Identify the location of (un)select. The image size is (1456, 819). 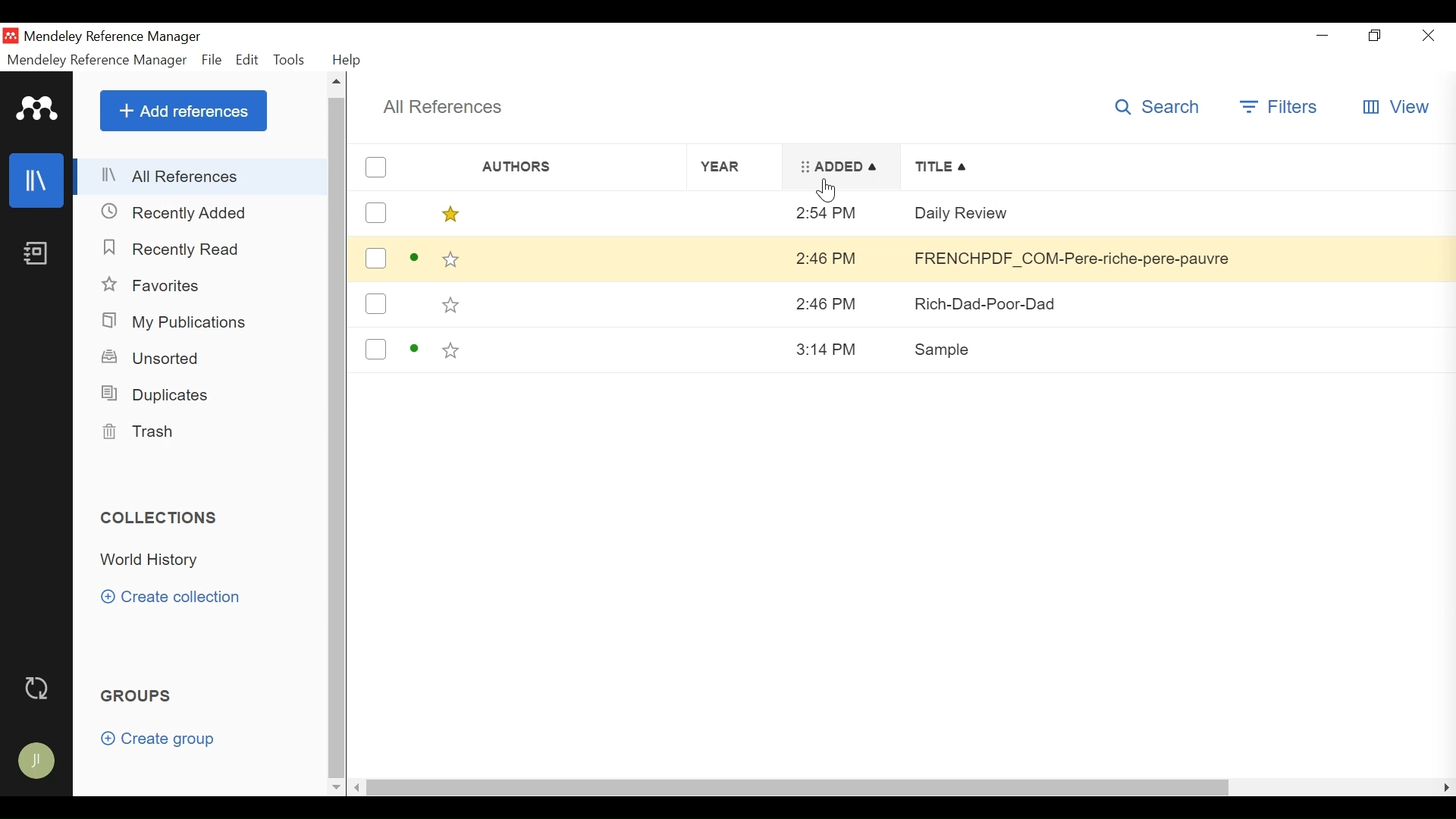
(375, 168).